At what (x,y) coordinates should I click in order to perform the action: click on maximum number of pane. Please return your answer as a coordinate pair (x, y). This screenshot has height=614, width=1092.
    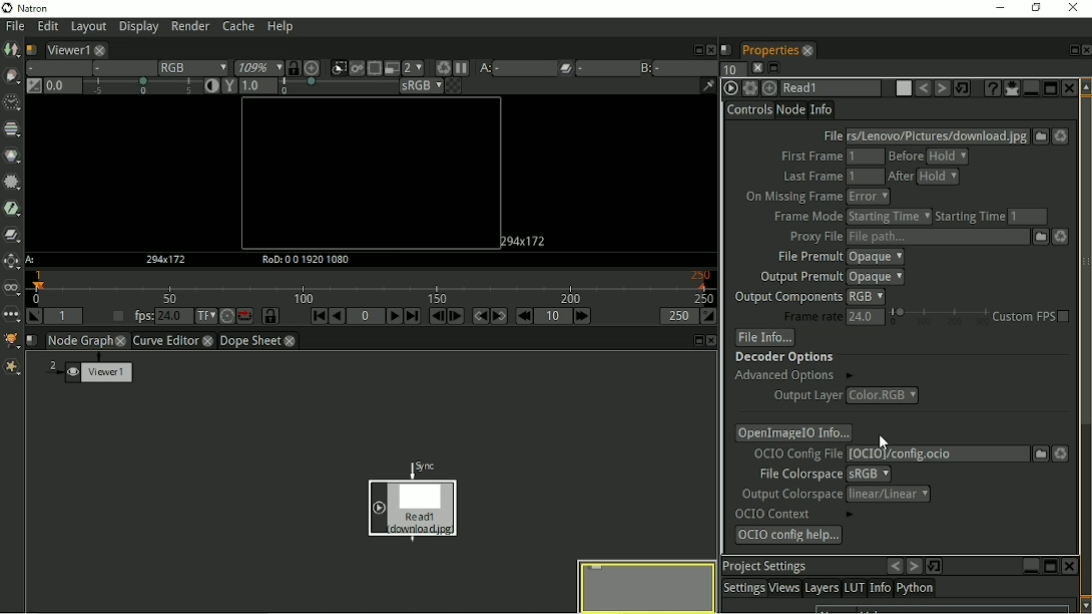
    Looking at the image, I should click on (732, 69).